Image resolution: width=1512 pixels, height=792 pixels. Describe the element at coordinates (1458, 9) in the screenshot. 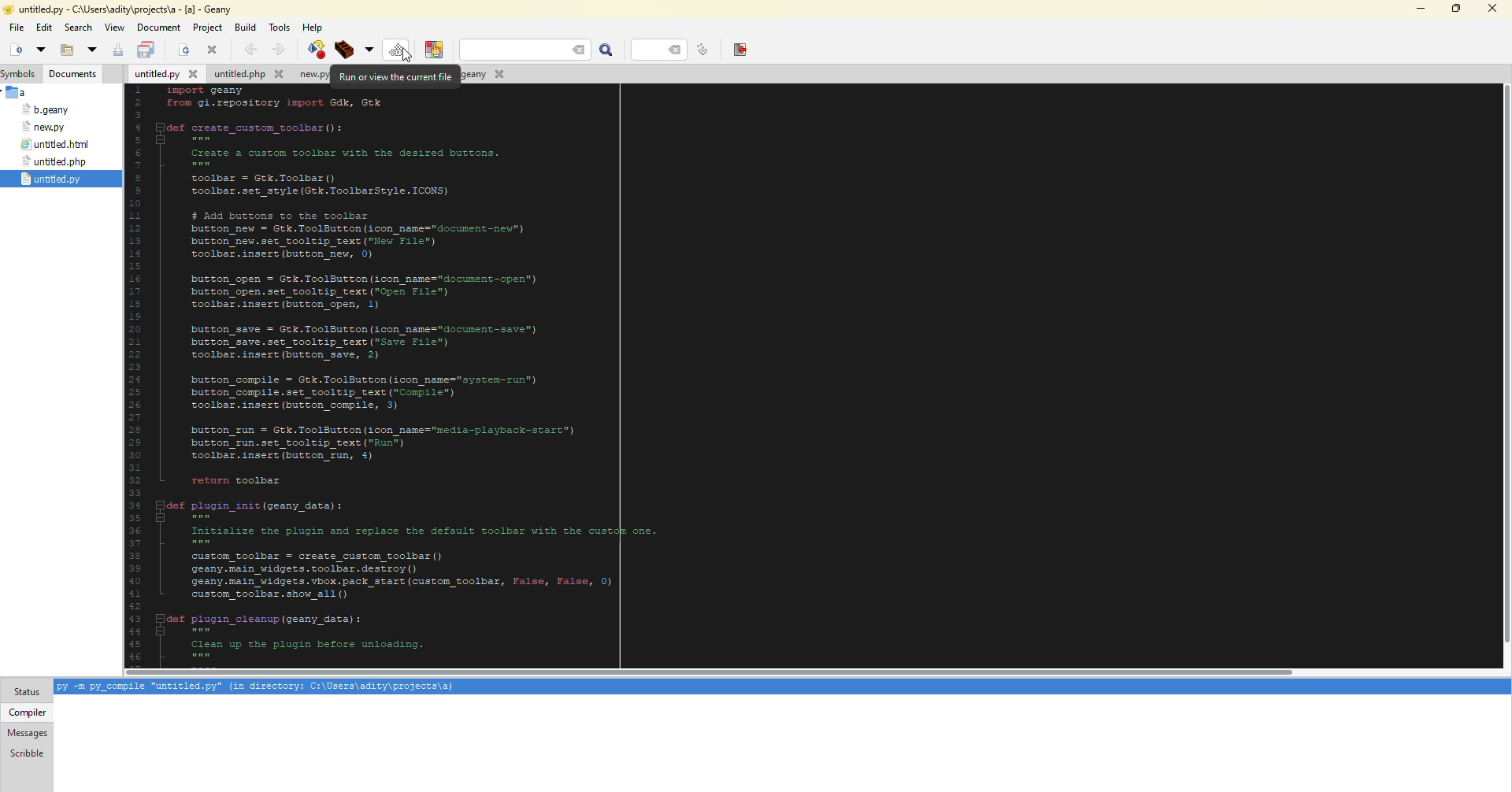

I see `maximize` at that location.